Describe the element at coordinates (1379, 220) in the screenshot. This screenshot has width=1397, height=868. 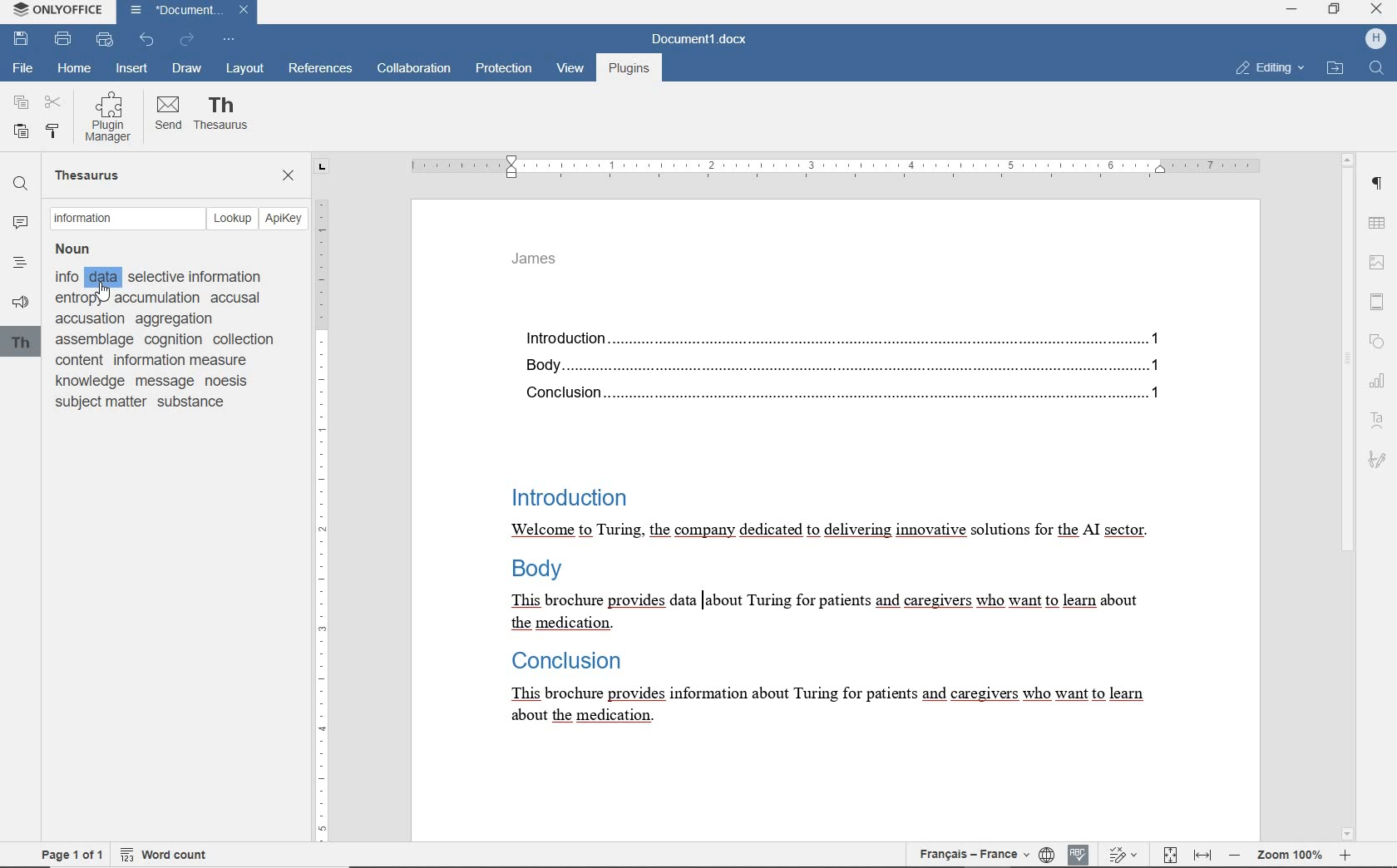
I see `TABLE` at that location.